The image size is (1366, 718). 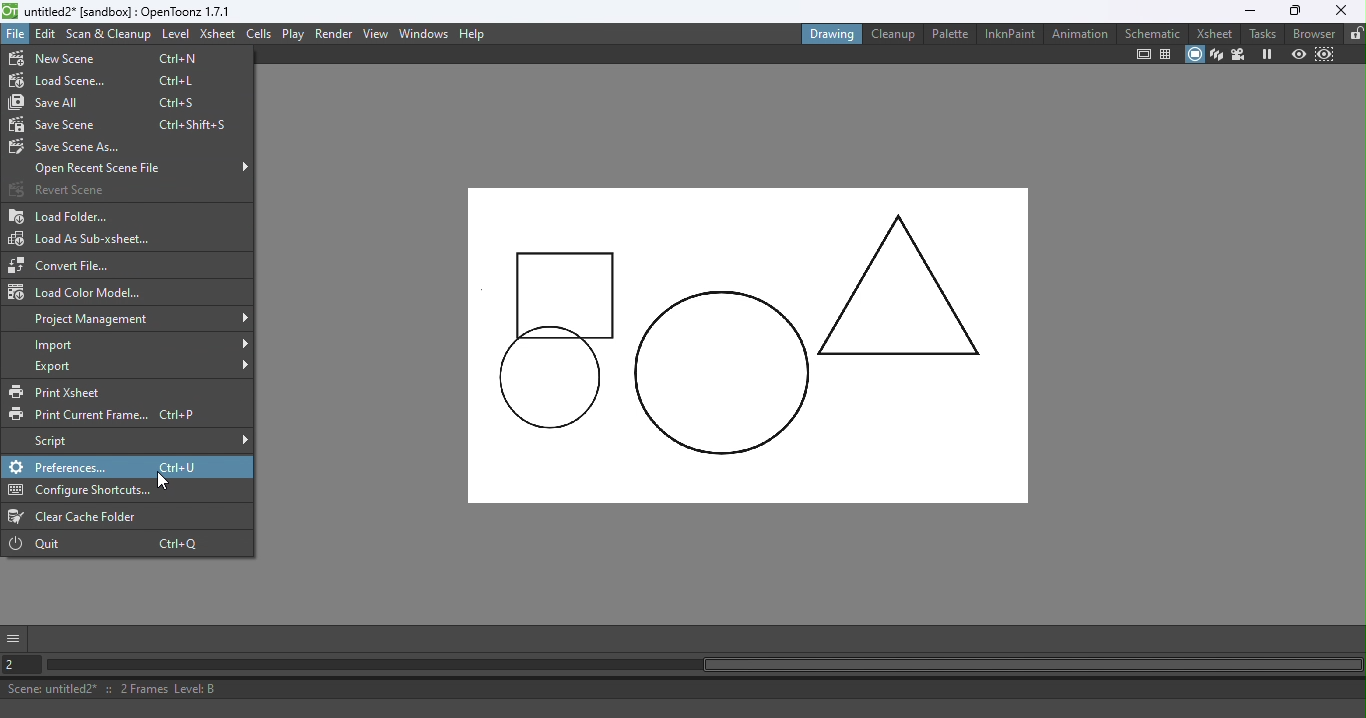 What do you see at coordinates (140, 442) in the screenshot?
I see `Script` at bounding box center [140, 442].